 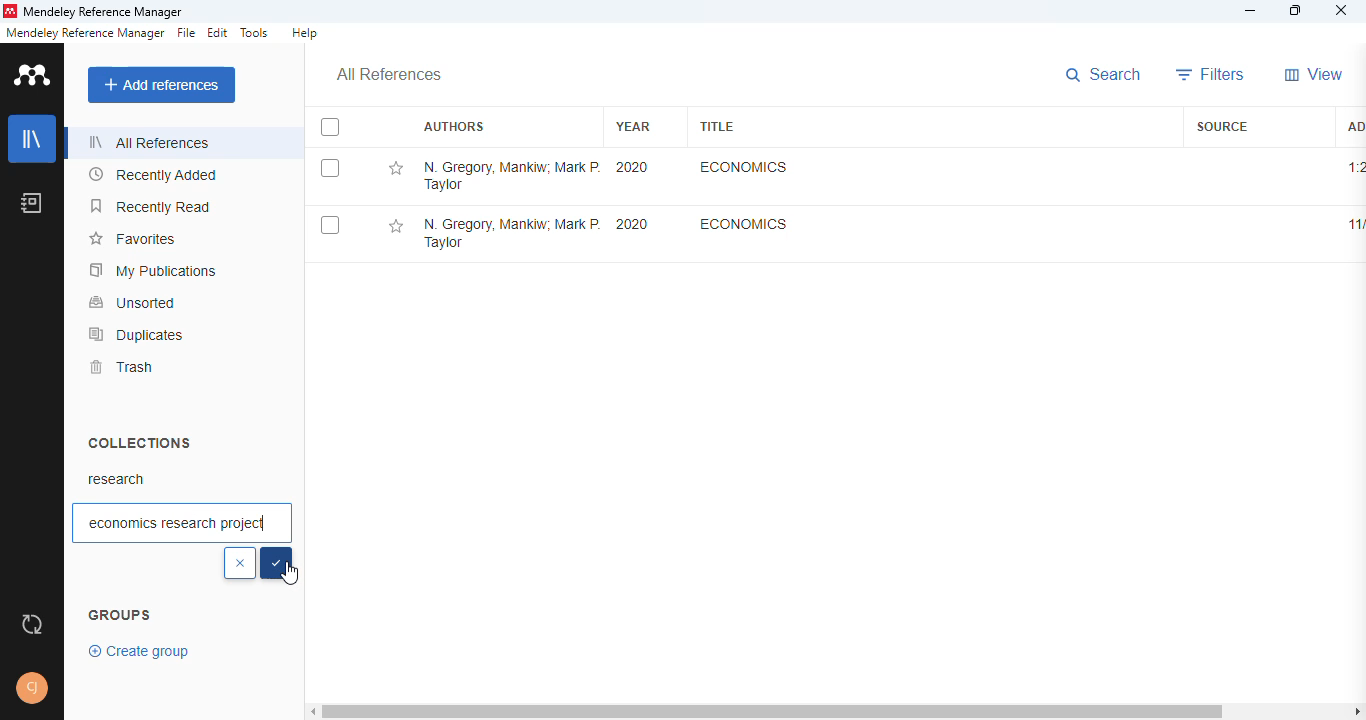 I want to click on source, so click(x=1222, y=126).